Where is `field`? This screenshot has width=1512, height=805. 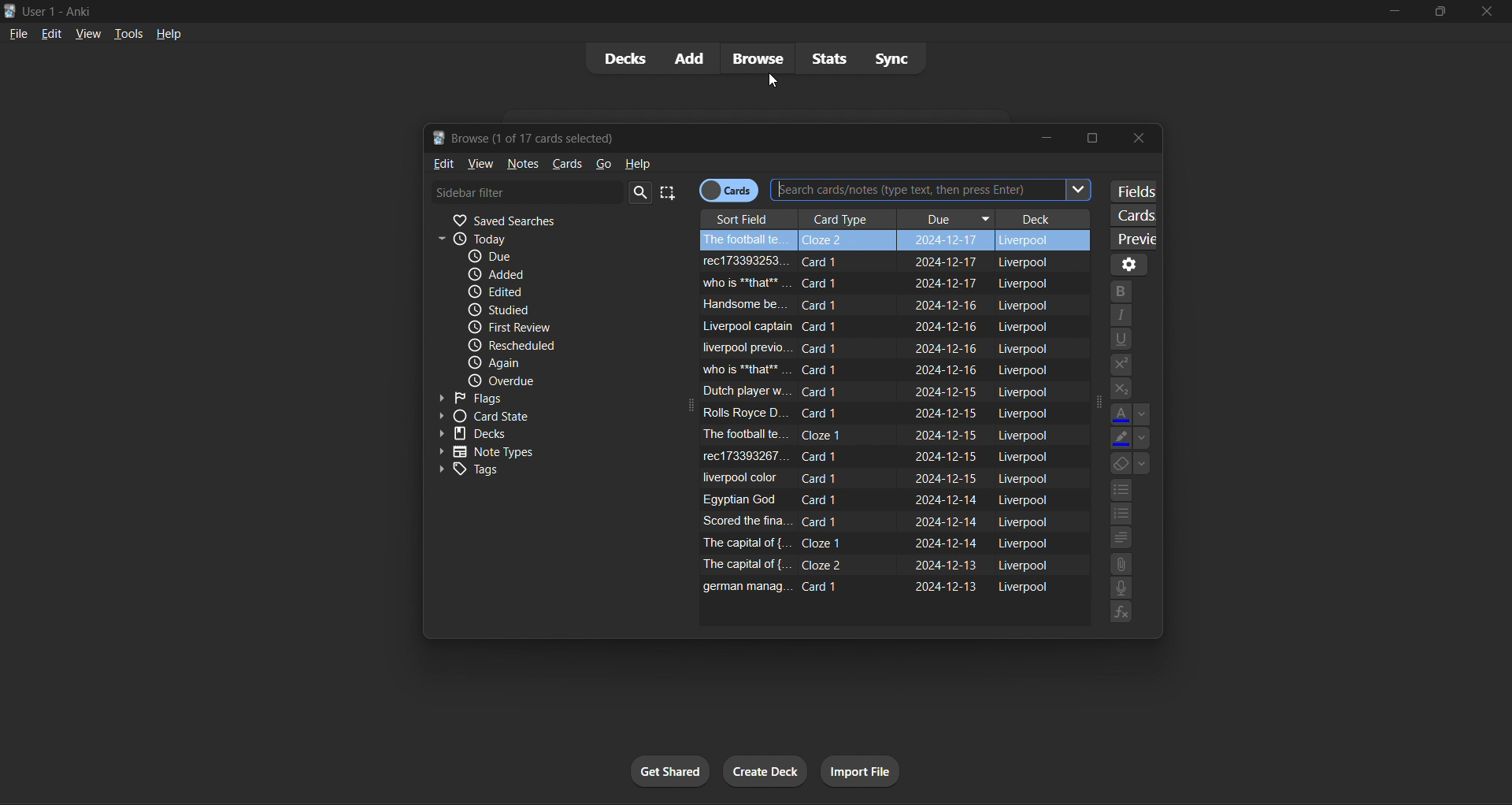
field is located at coordinates (744, 411).